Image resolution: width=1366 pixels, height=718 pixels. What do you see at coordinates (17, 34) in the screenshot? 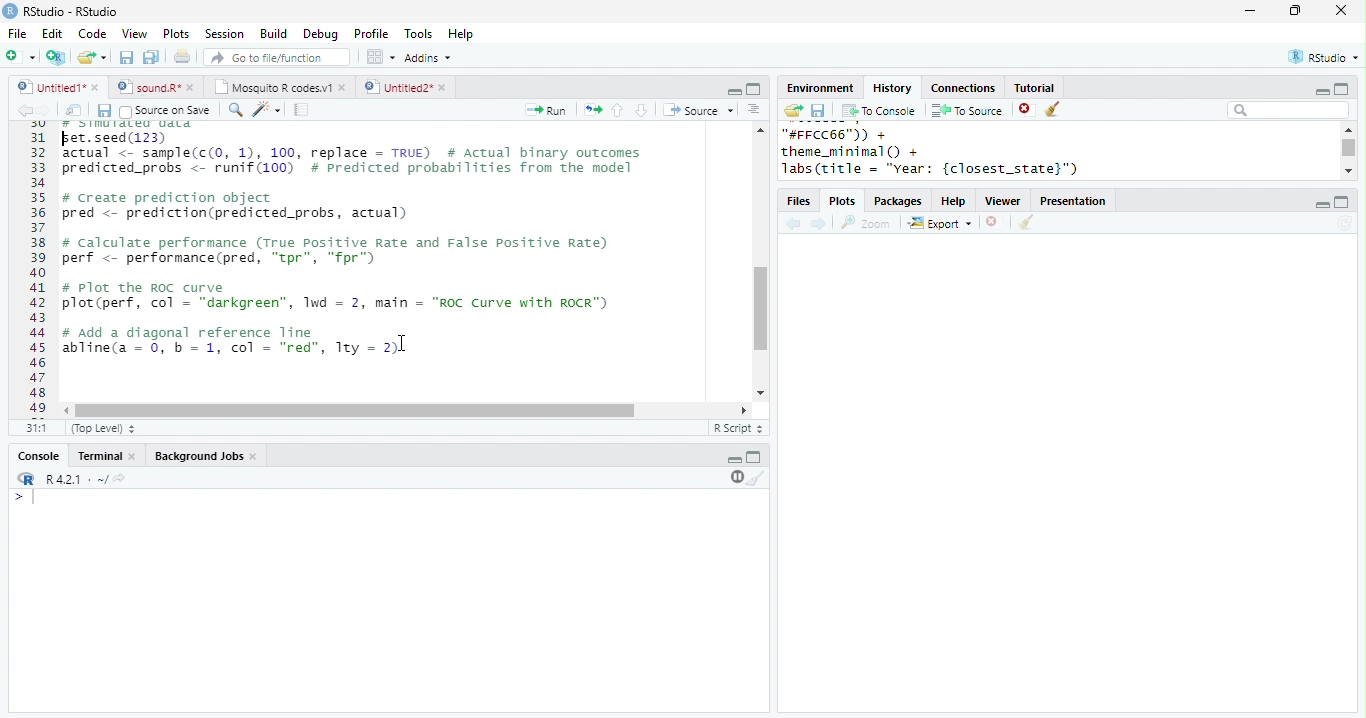
I see `File` at bounding box center [17, 34].